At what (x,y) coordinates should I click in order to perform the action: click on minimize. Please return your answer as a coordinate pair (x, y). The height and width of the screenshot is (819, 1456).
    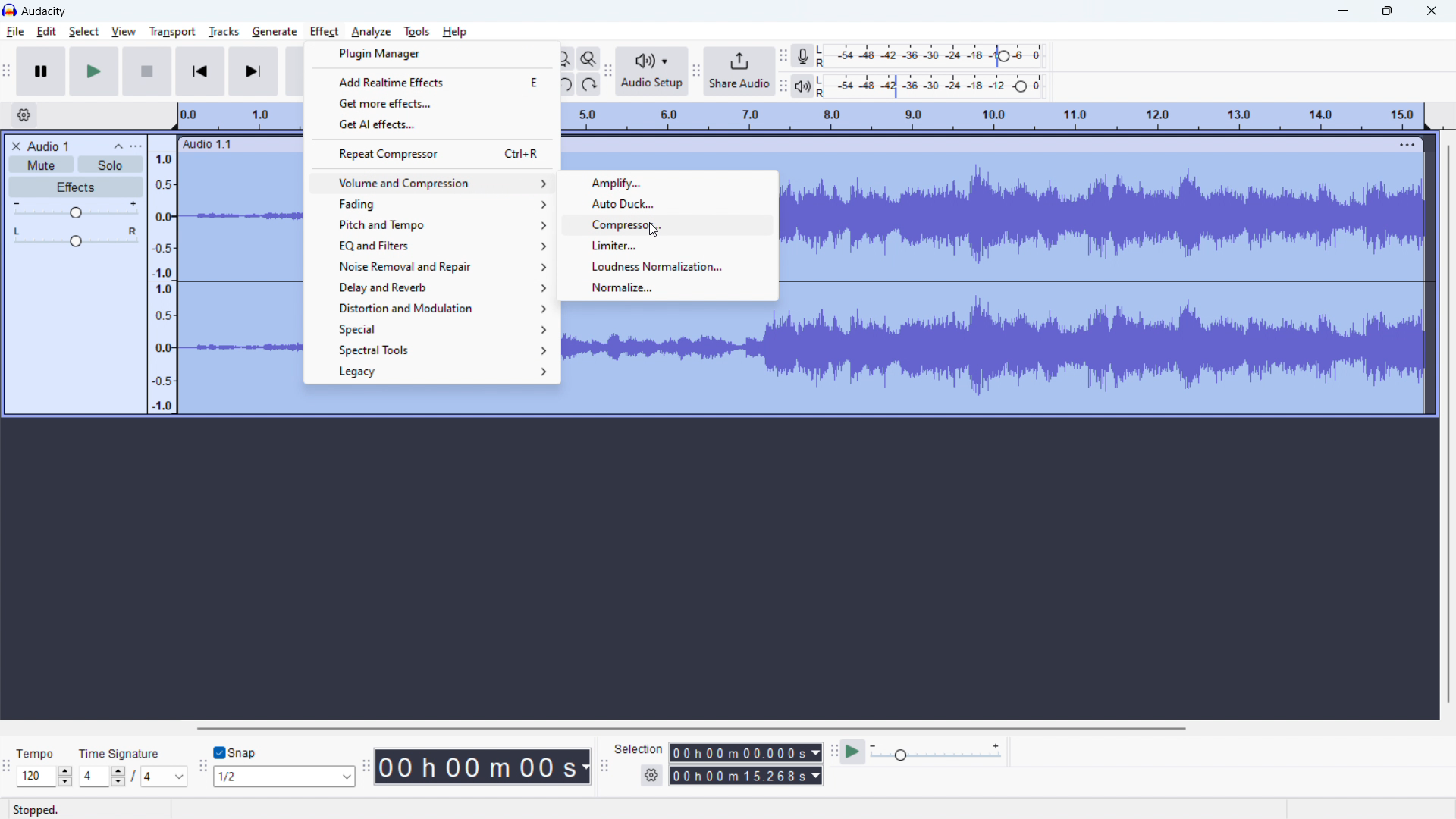
    Looking at the image, I should click on (1342, 11).